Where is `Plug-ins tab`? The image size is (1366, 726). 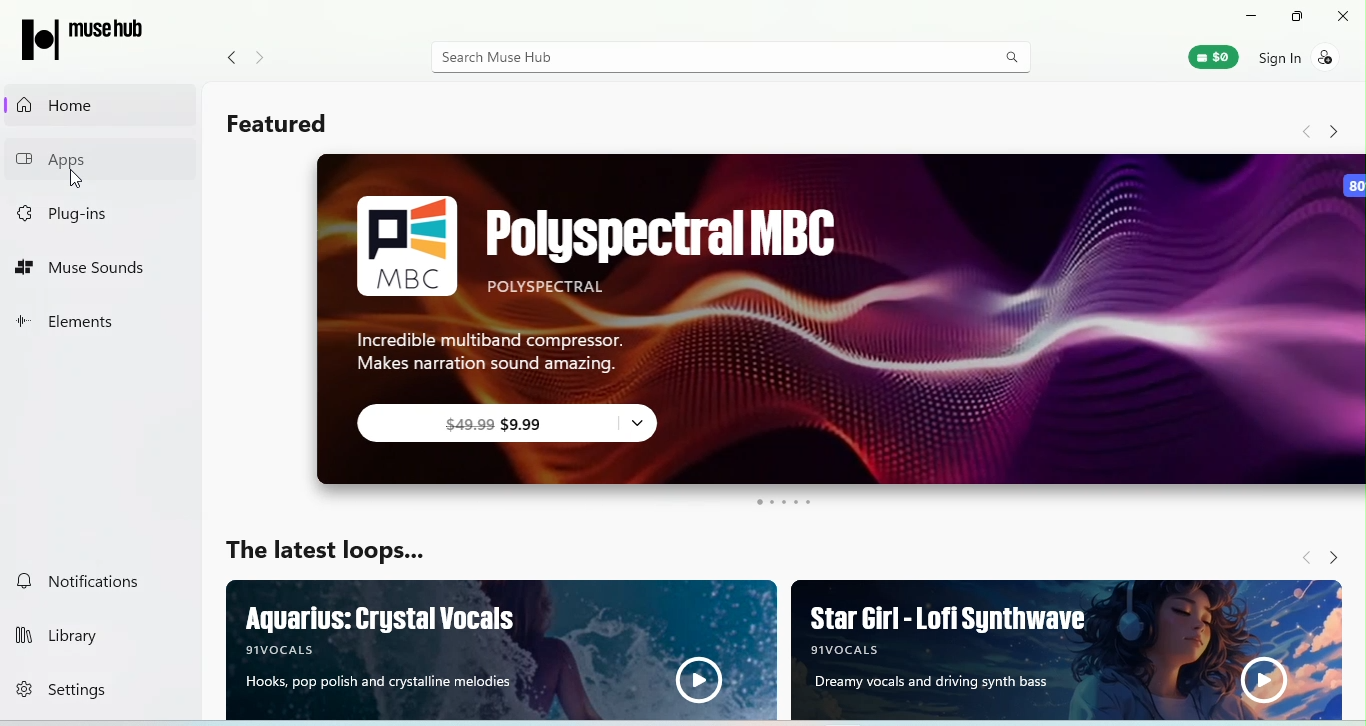
Plug-ins tab is located at coordinates (80, 213).